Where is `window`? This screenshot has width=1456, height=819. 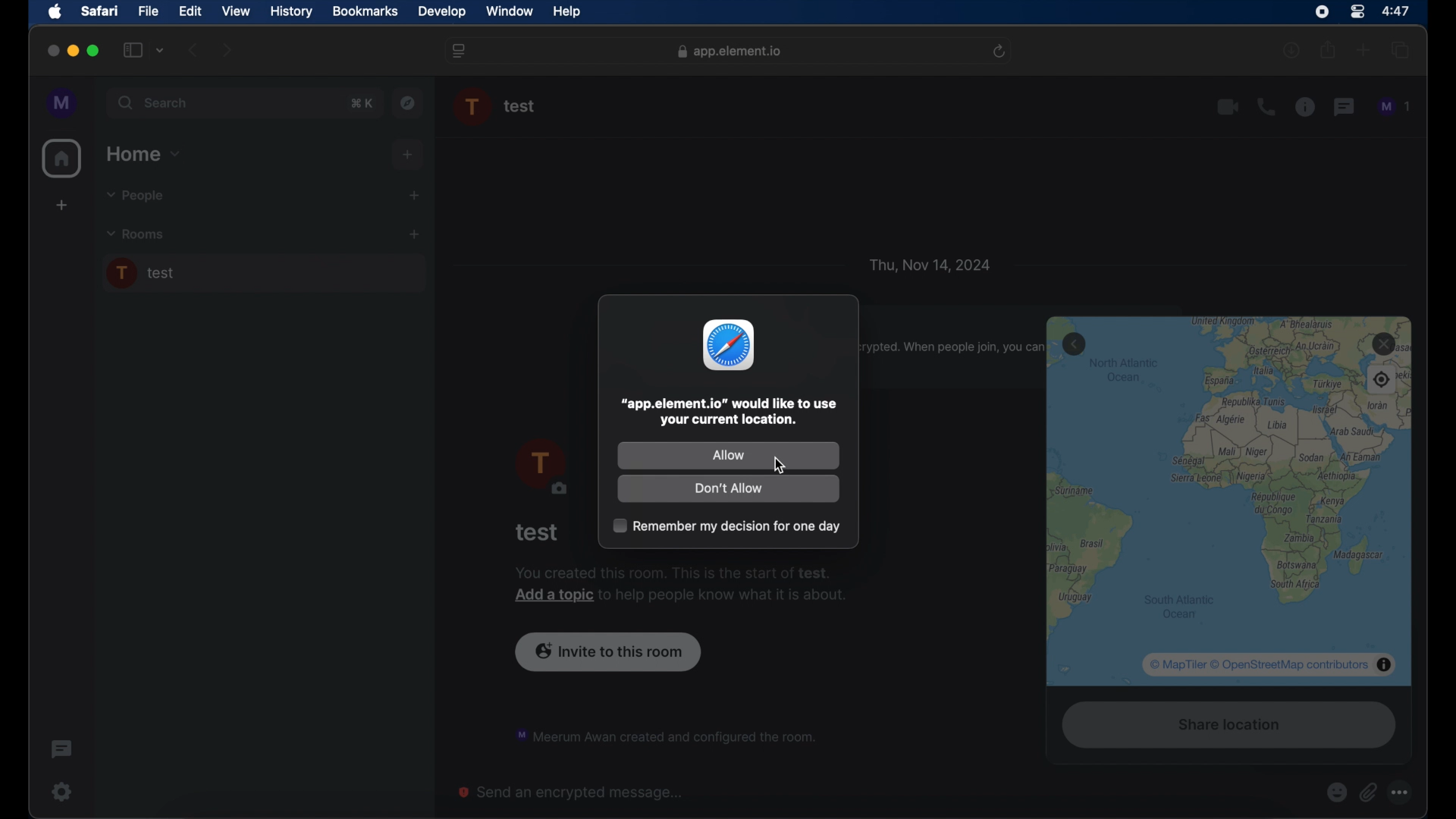 window is located at coordinates (511, 12).